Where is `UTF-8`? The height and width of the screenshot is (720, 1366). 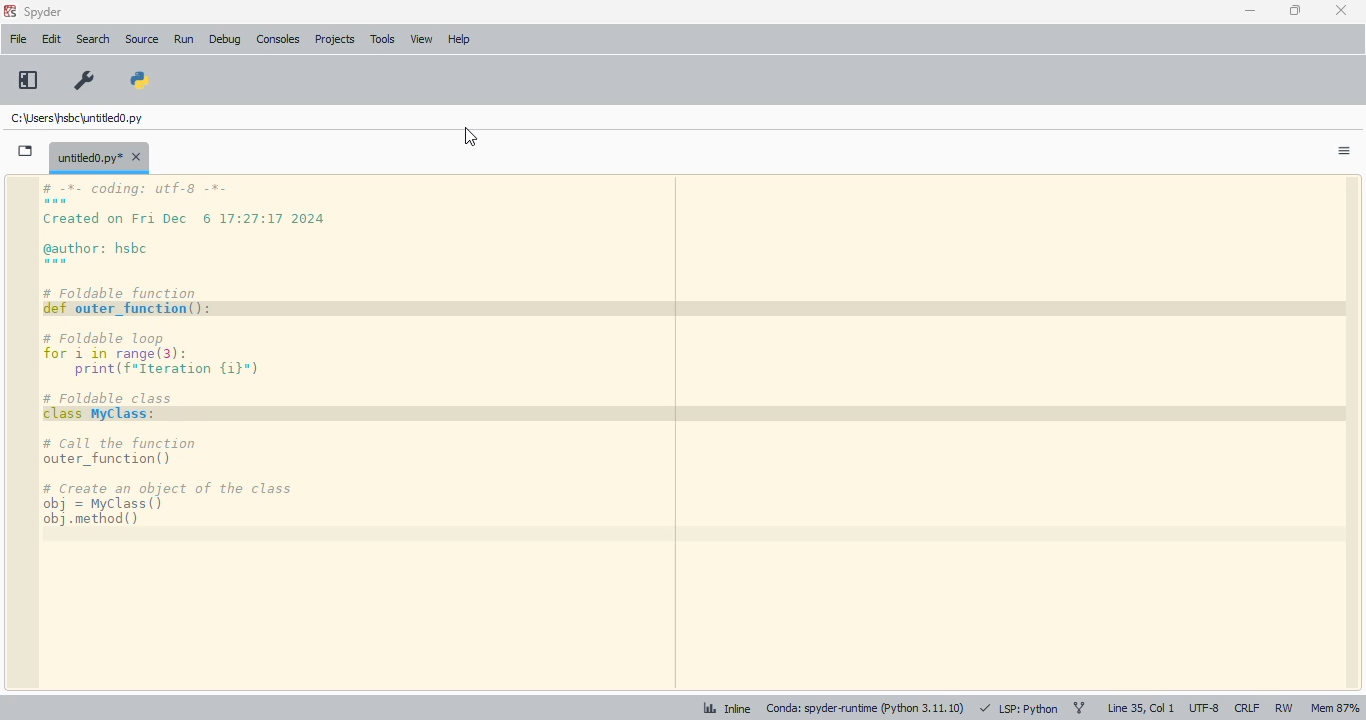
UTF-8 is located at coordinates (1204, 708).